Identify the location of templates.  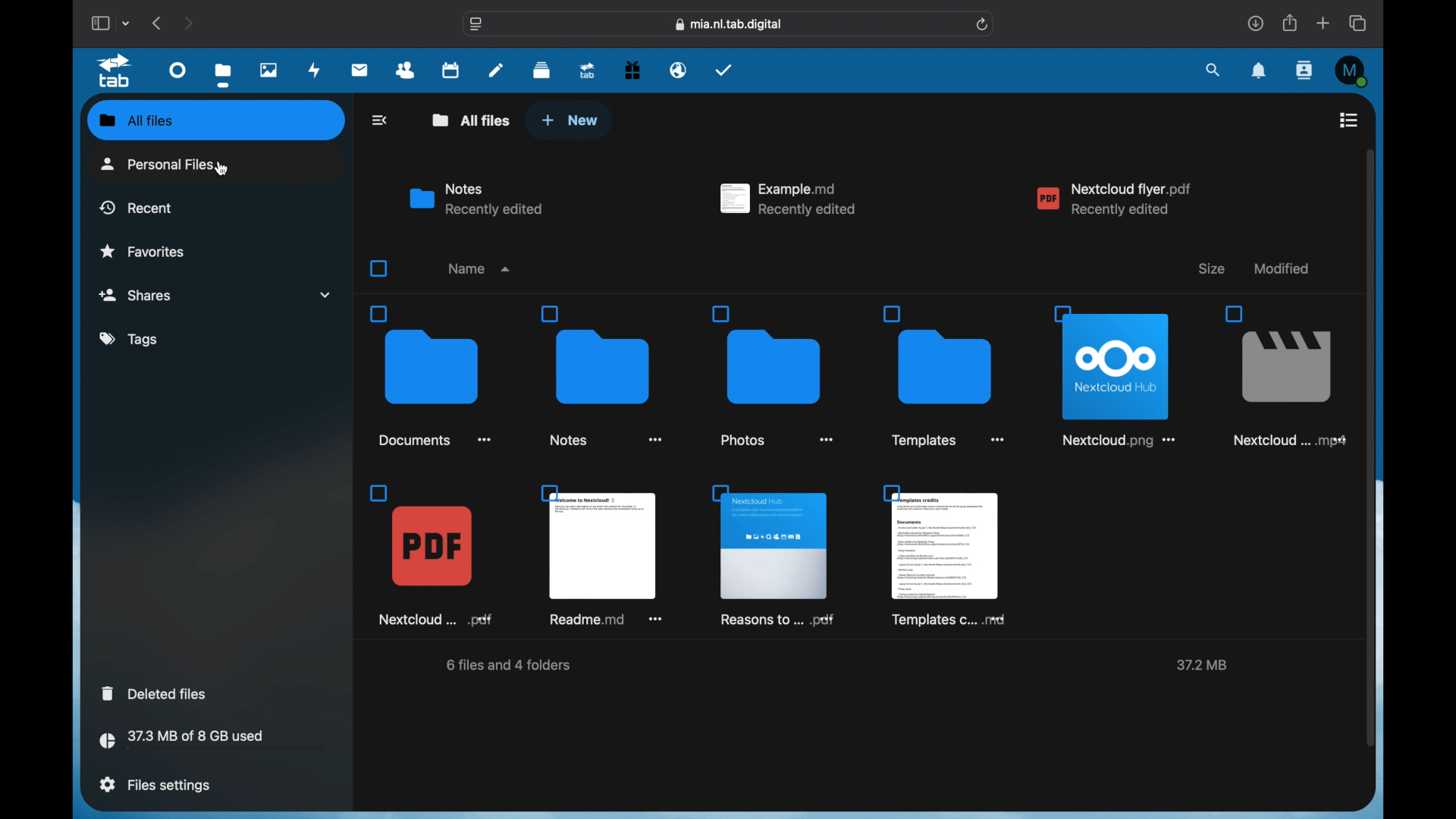
(947, 555).